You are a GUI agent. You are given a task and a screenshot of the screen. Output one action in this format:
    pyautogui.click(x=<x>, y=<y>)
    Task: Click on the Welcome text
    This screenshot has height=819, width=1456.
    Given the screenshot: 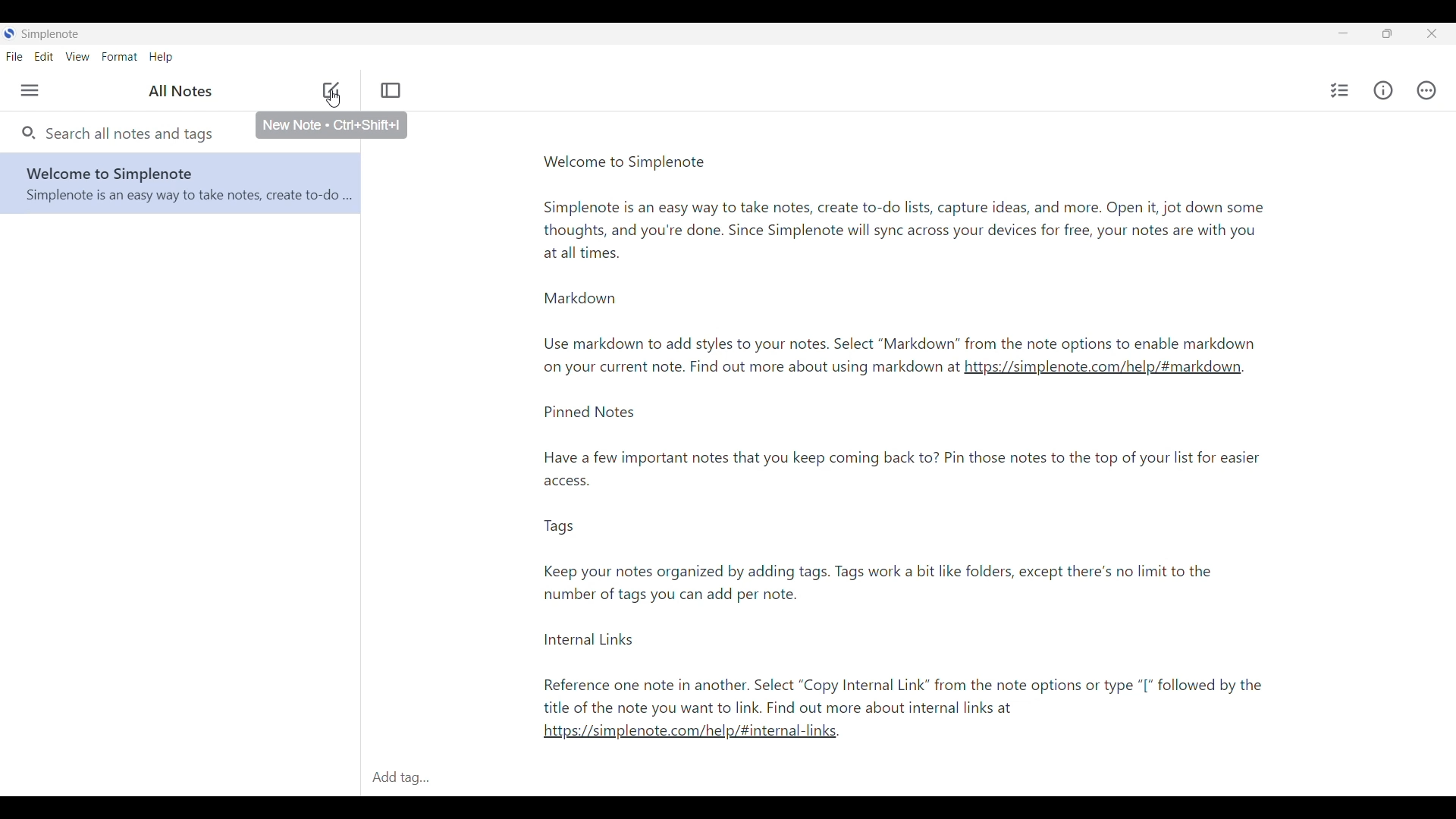 What is the action you would take?
    pyautogui.click(x=905, y=559)
    